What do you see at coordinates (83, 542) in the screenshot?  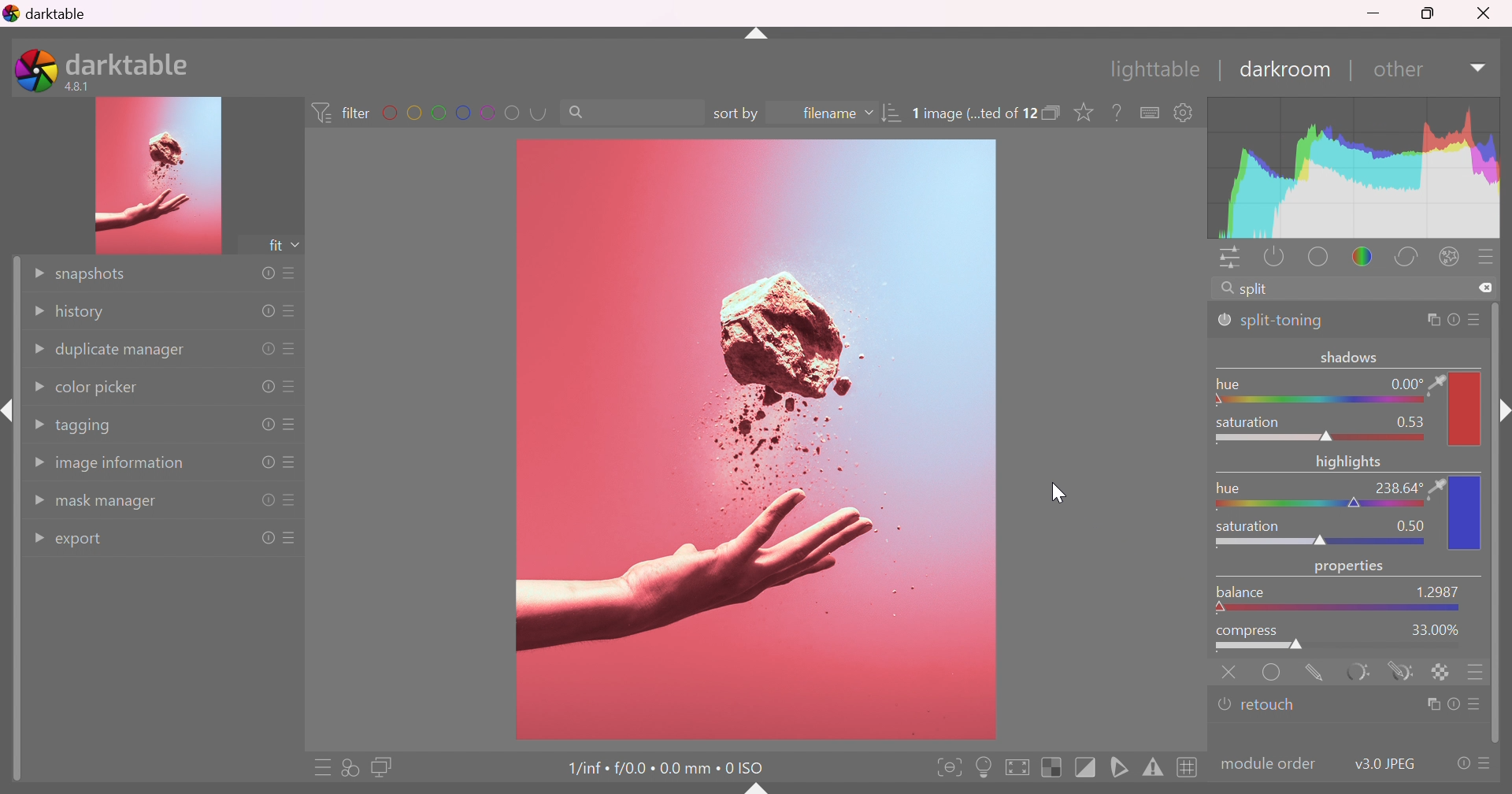 I see `export` at bounding box center [83, 542].